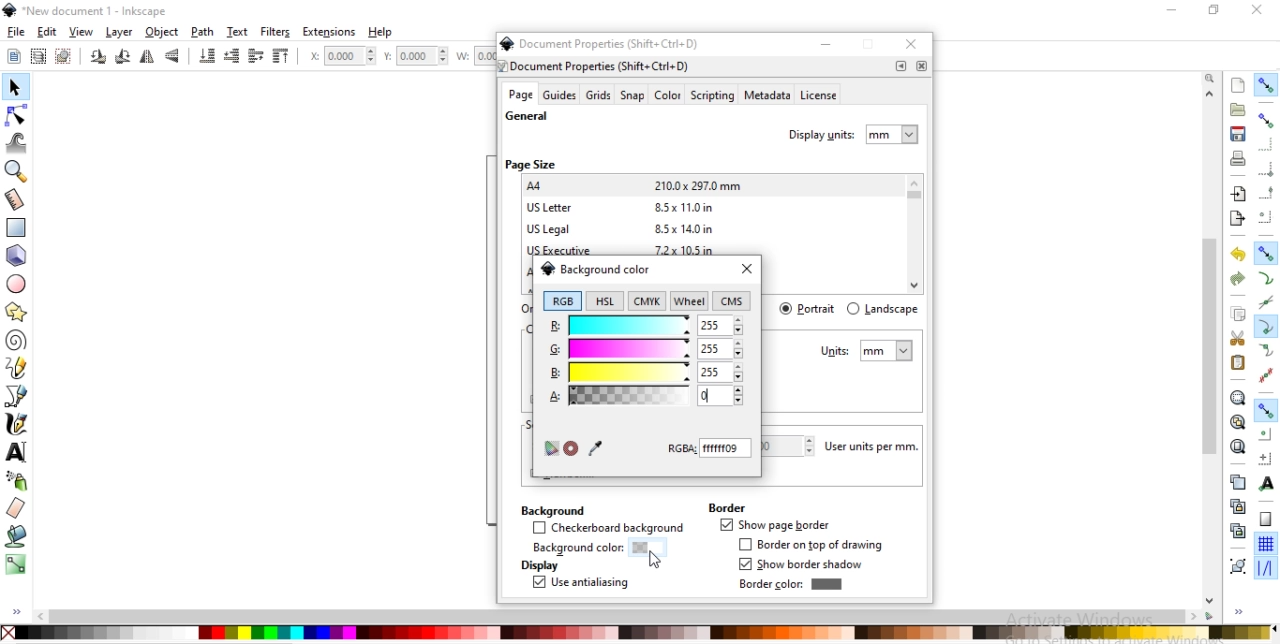 This screenshot has width=1280, height=644. I want to click on zoom to fit drawing, so click(1237, 423).